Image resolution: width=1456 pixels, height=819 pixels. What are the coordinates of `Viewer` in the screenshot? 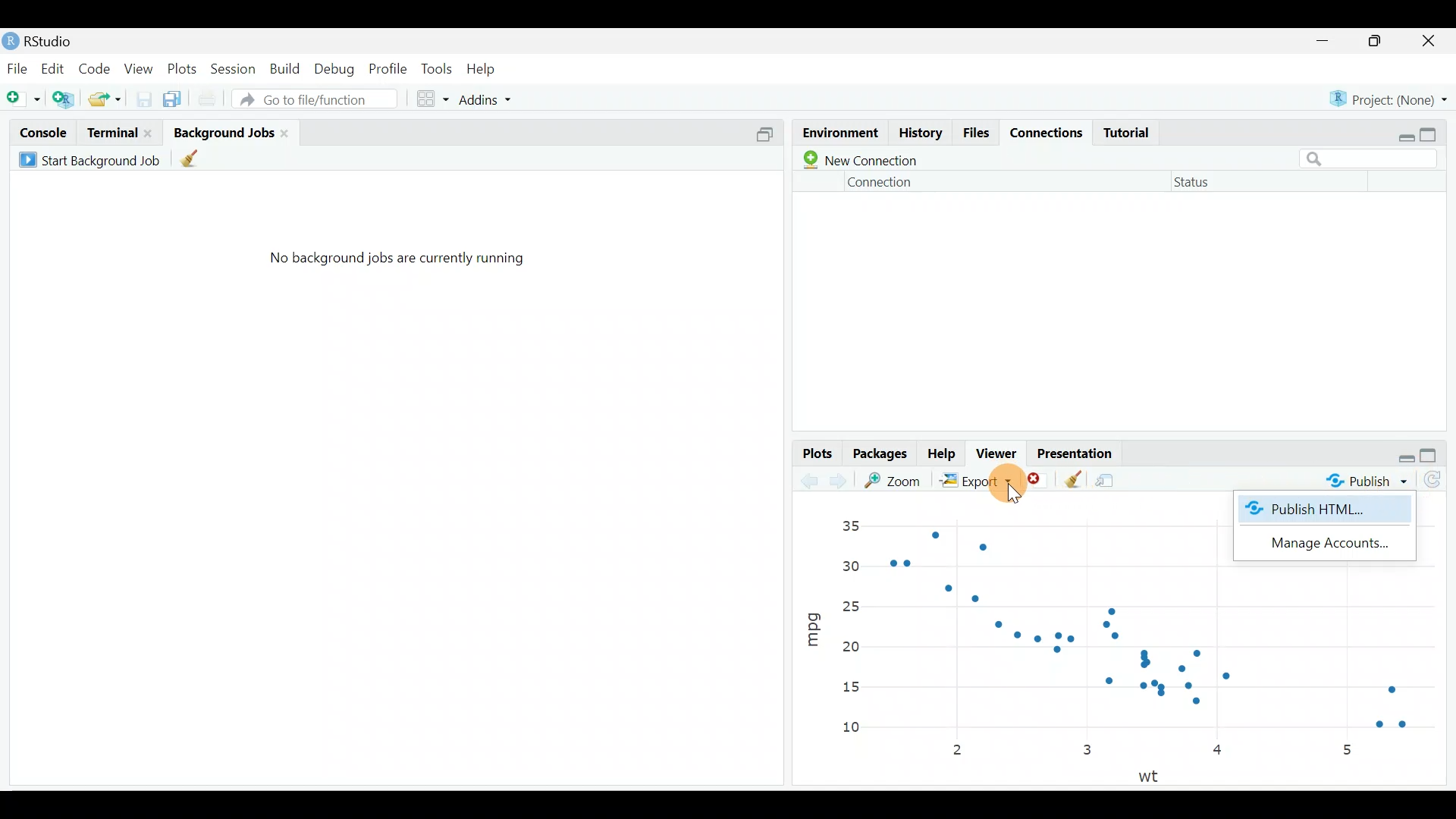 It's located at (1000, 453).